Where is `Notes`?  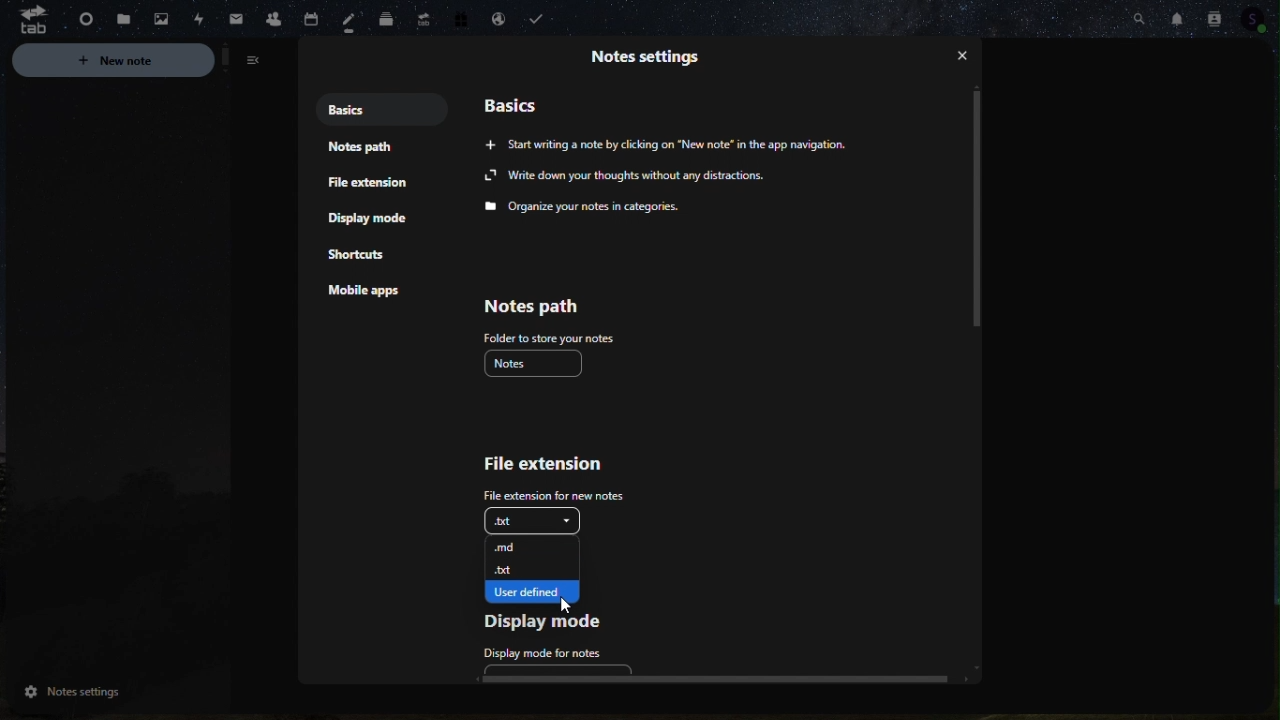
Notes is located at coordinates (537, 365).